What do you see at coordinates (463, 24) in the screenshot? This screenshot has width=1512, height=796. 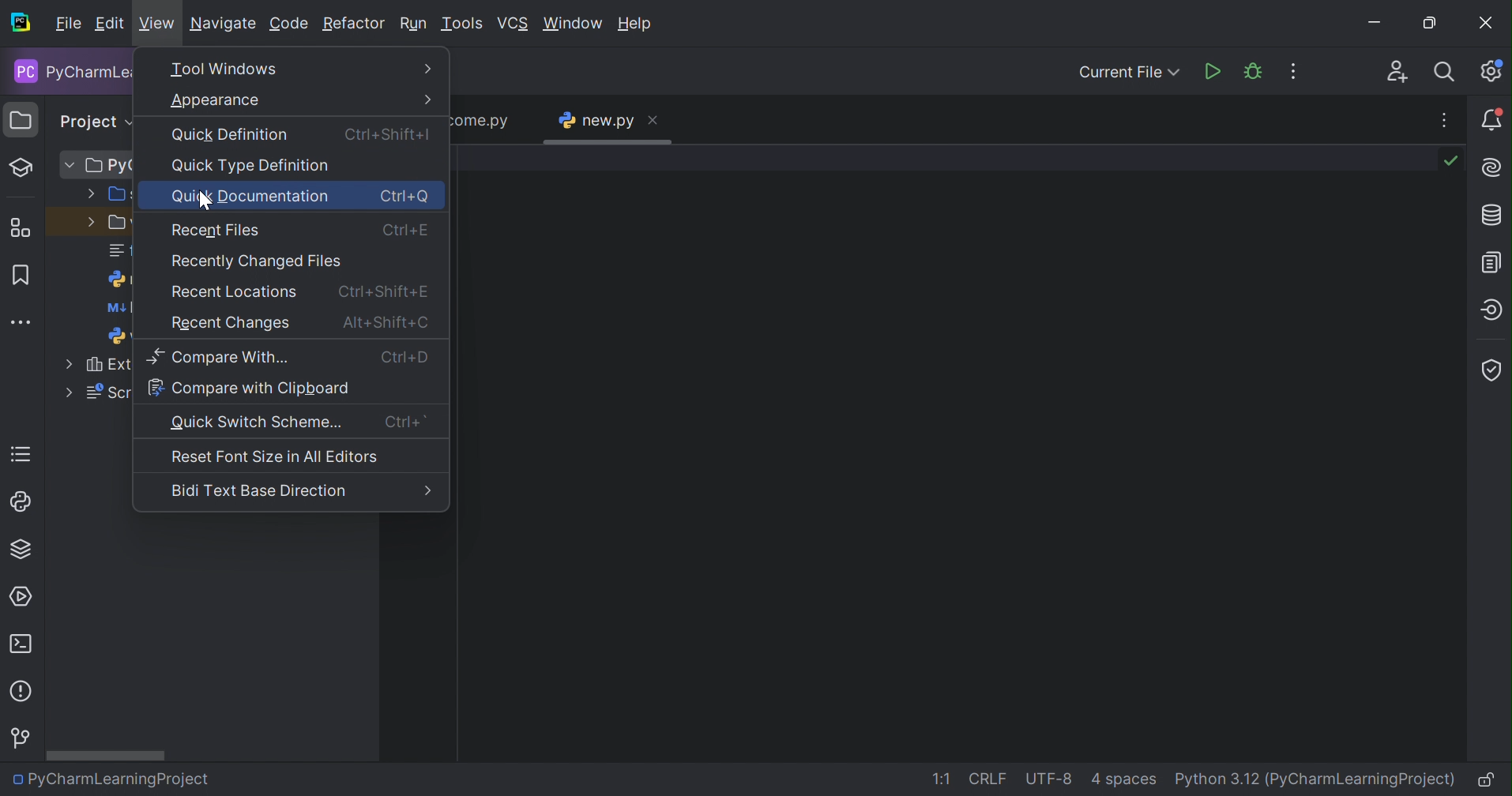 I see `Tools` at bounding box center [463, 24].